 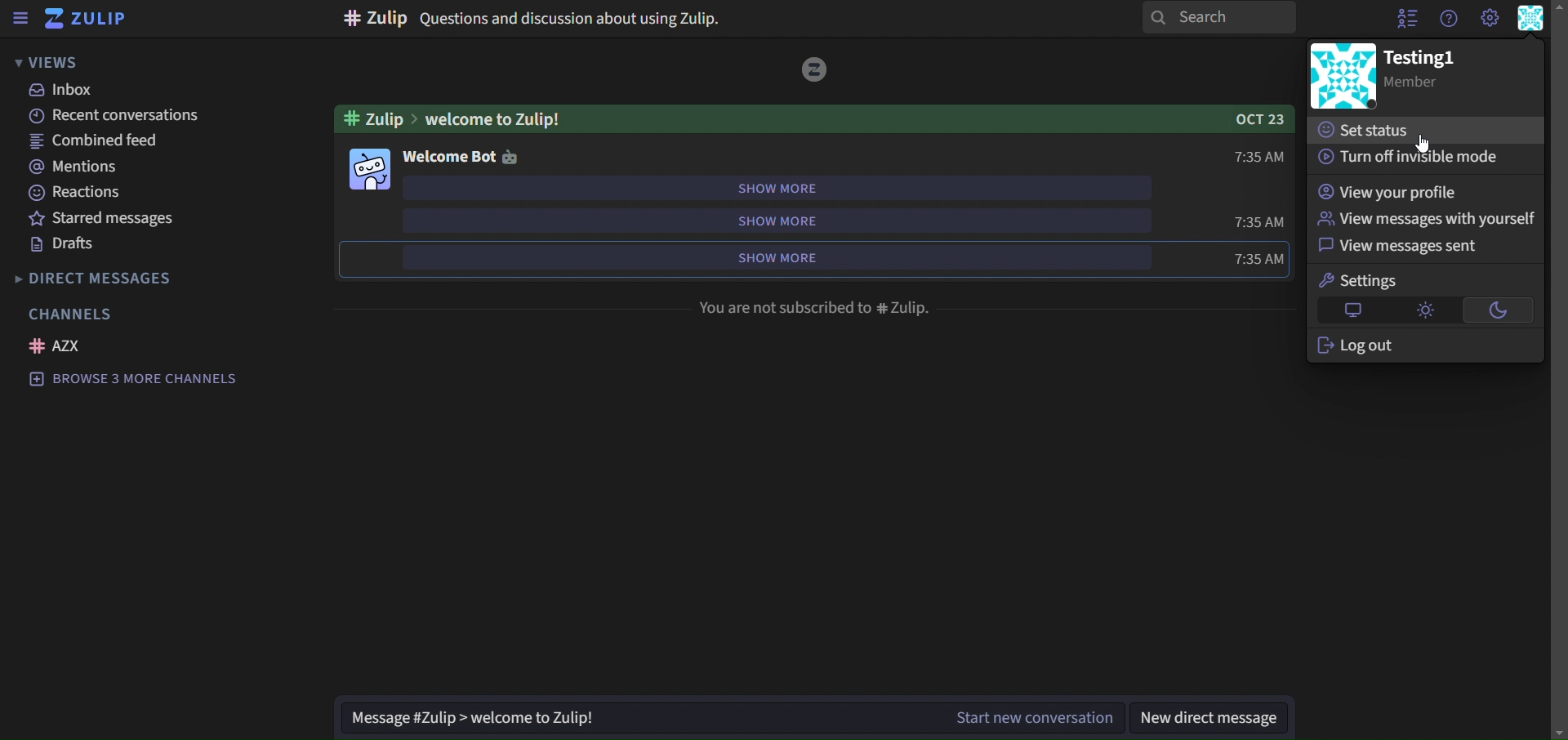 What do you see at coordinates (109, 278) in the screenshot?
I see `direct messages` at bounding box center [109, 278].